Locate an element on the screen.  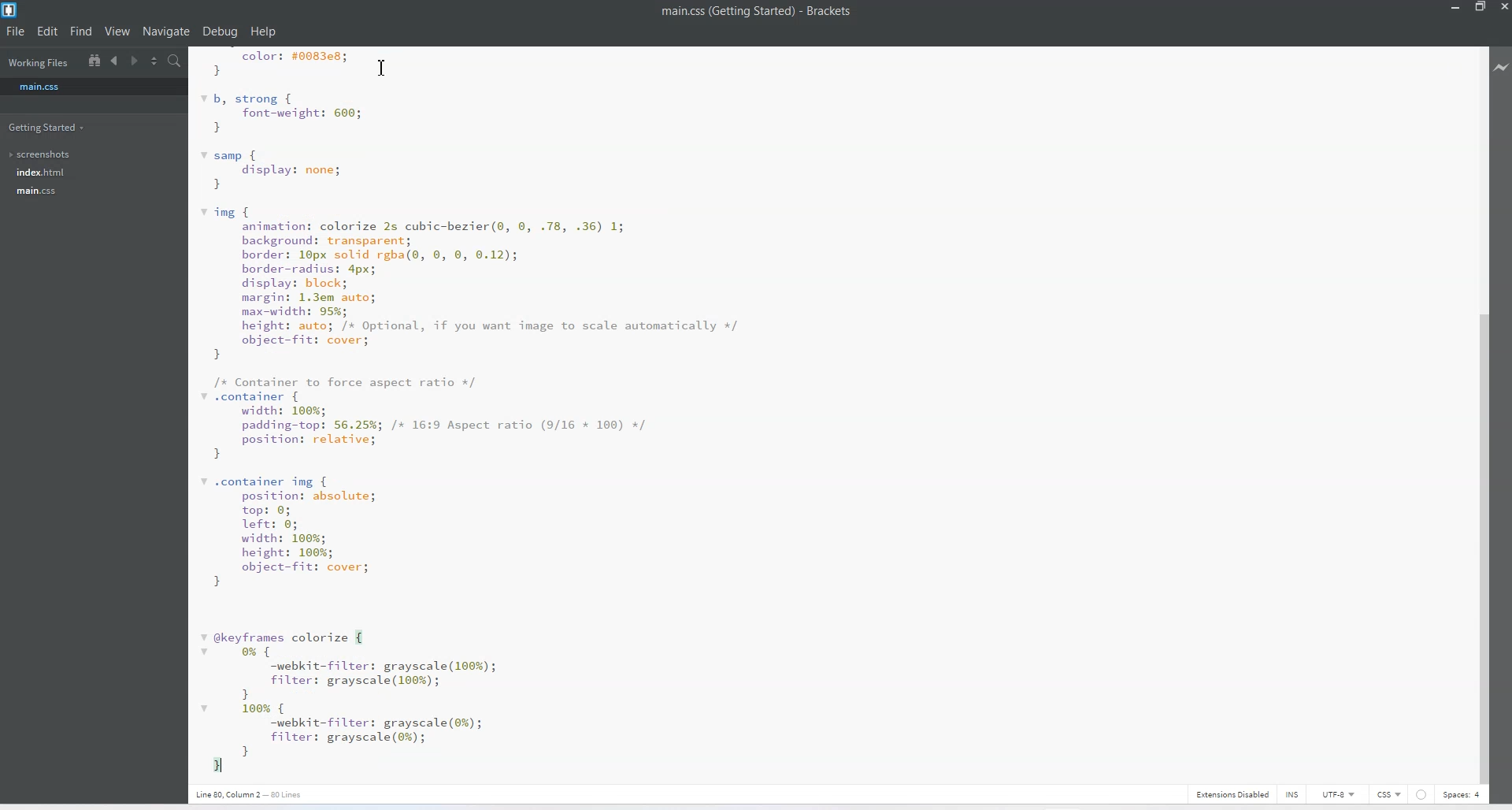
File is located at coordinates (16, 32).